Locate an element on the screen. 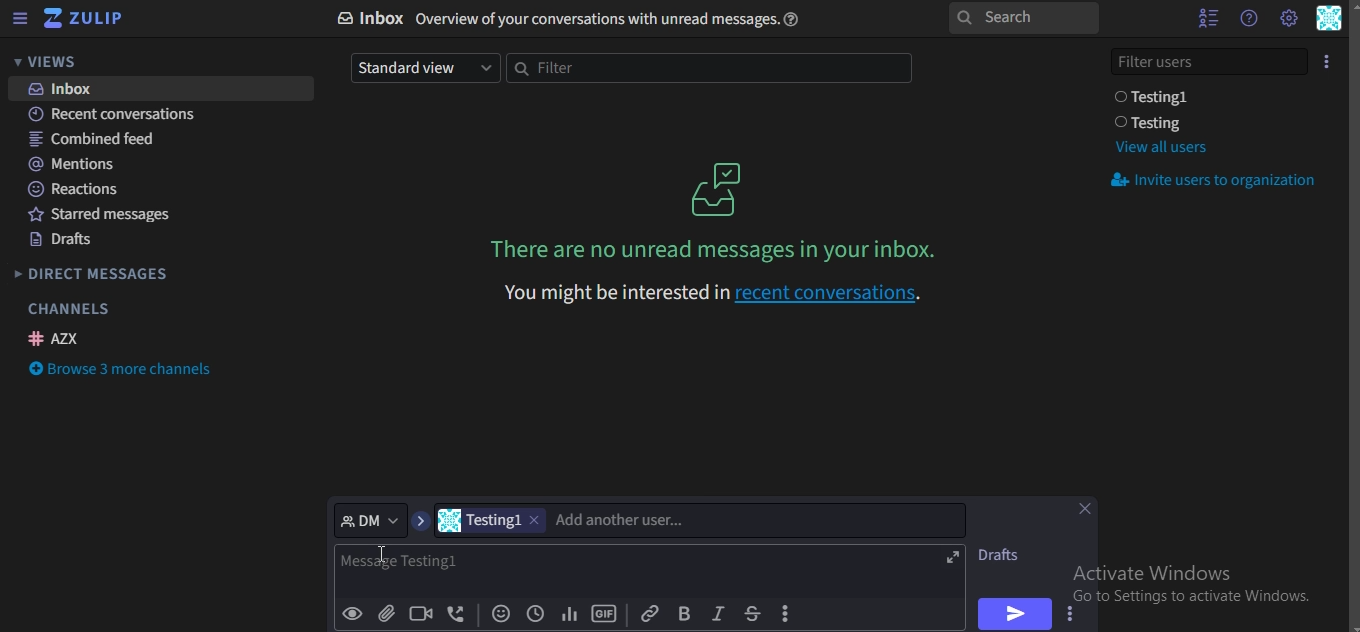 The width and height of the screenshot is (1360, 632). views is located at coordinates (55, 62).